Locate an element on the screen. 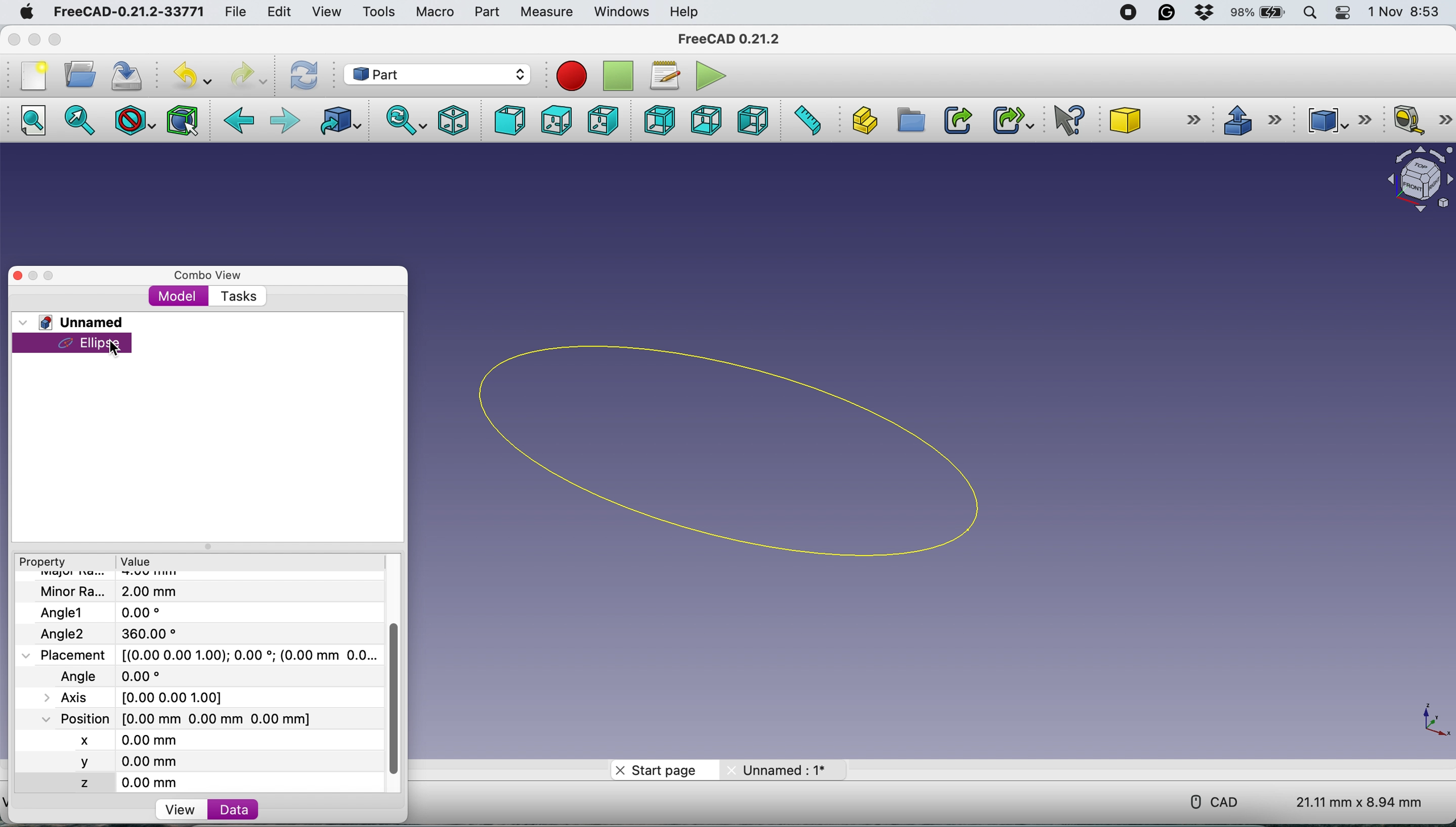 Image resolution: width=1456 pixels, height=827 pixels. xy coordinate is located at coordinates (1432, 724).